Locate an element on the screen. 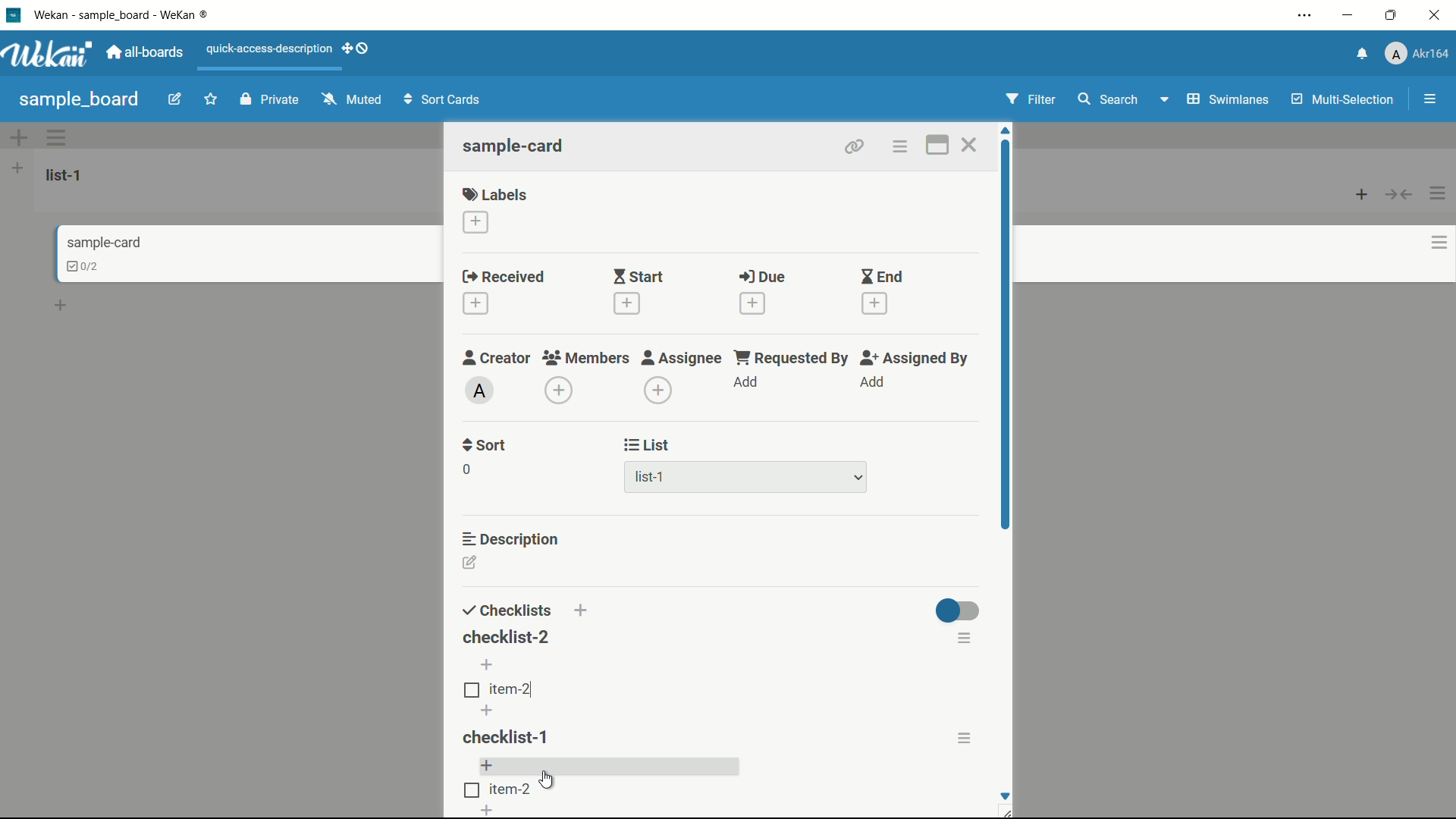 This screenshot has height=819, width=1456. app icon is located at coordinates (13, 14).